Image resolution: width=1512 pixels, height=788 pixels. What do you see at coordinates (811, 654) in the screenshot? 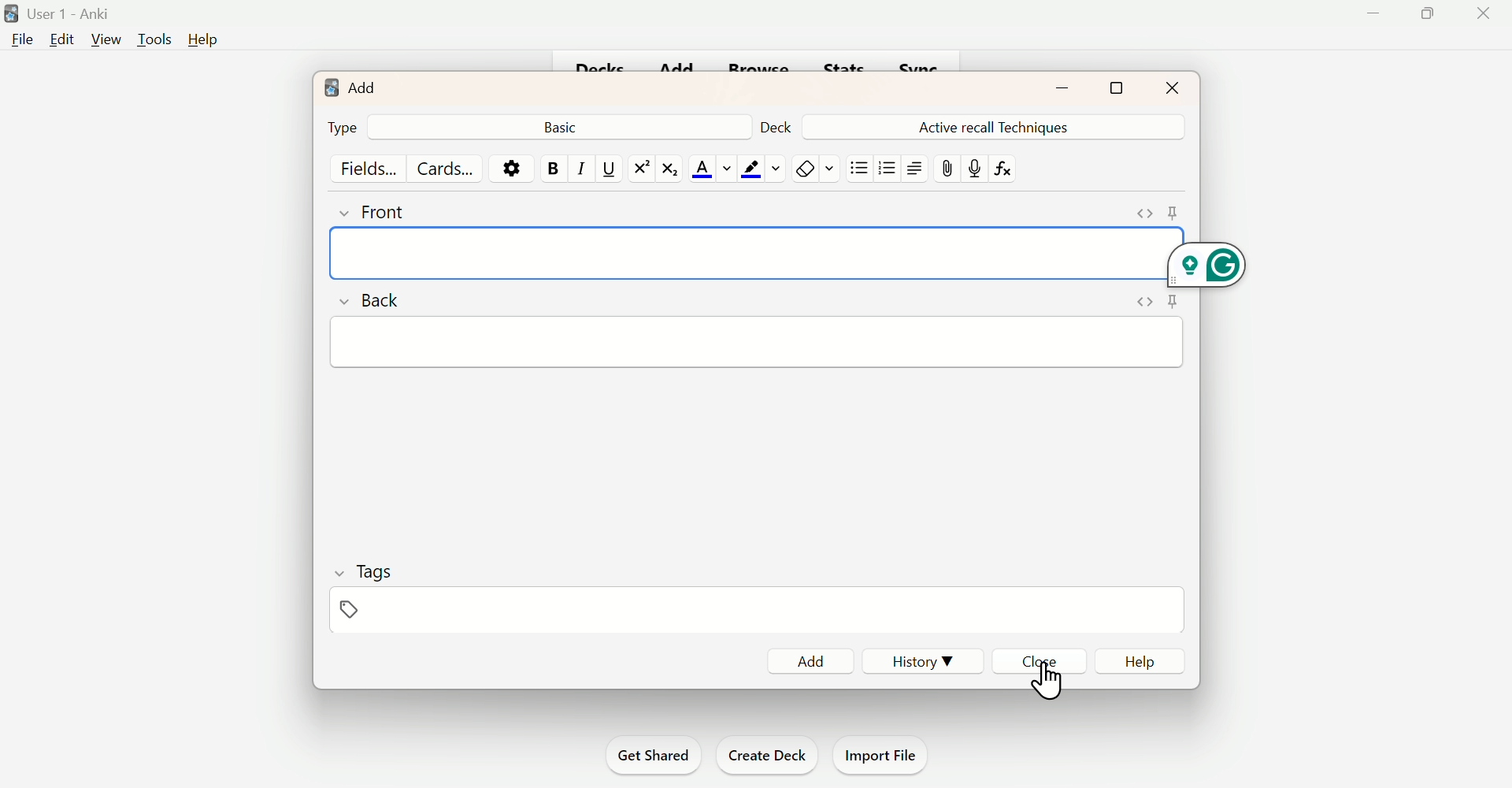
I see `Add` at bounding box center [811, 654].